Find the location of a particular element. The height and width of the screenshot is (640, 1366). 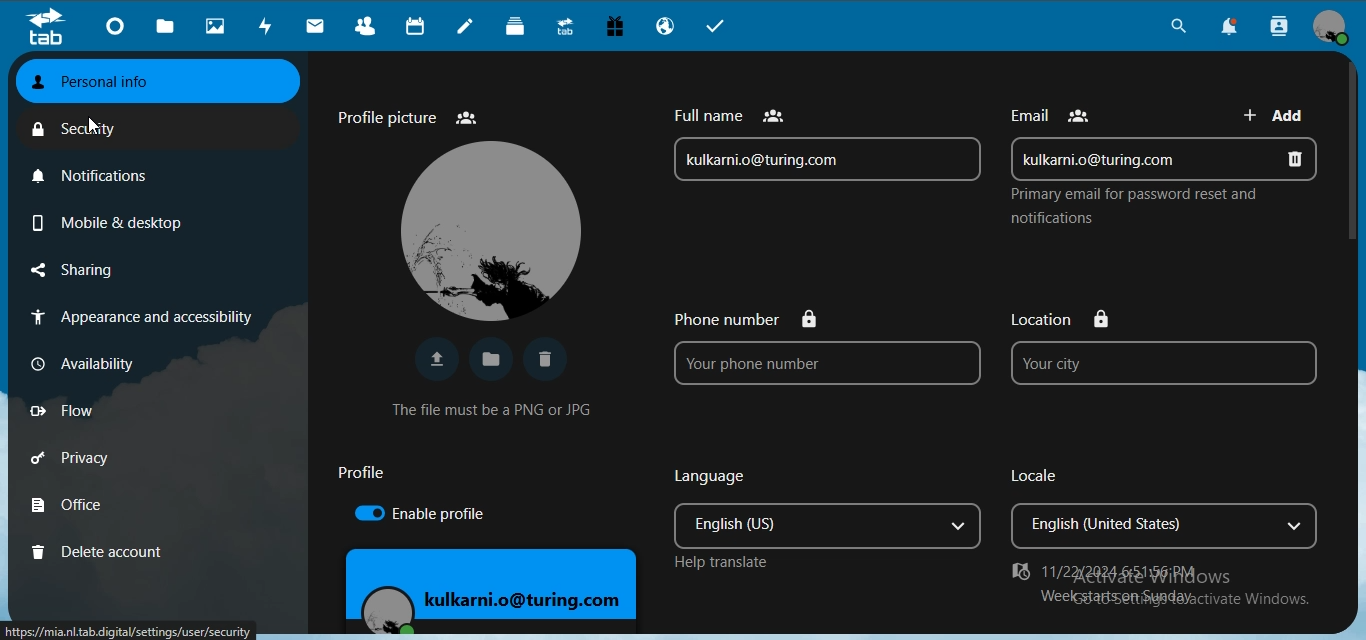

location is located at coordinates (1064, 320).